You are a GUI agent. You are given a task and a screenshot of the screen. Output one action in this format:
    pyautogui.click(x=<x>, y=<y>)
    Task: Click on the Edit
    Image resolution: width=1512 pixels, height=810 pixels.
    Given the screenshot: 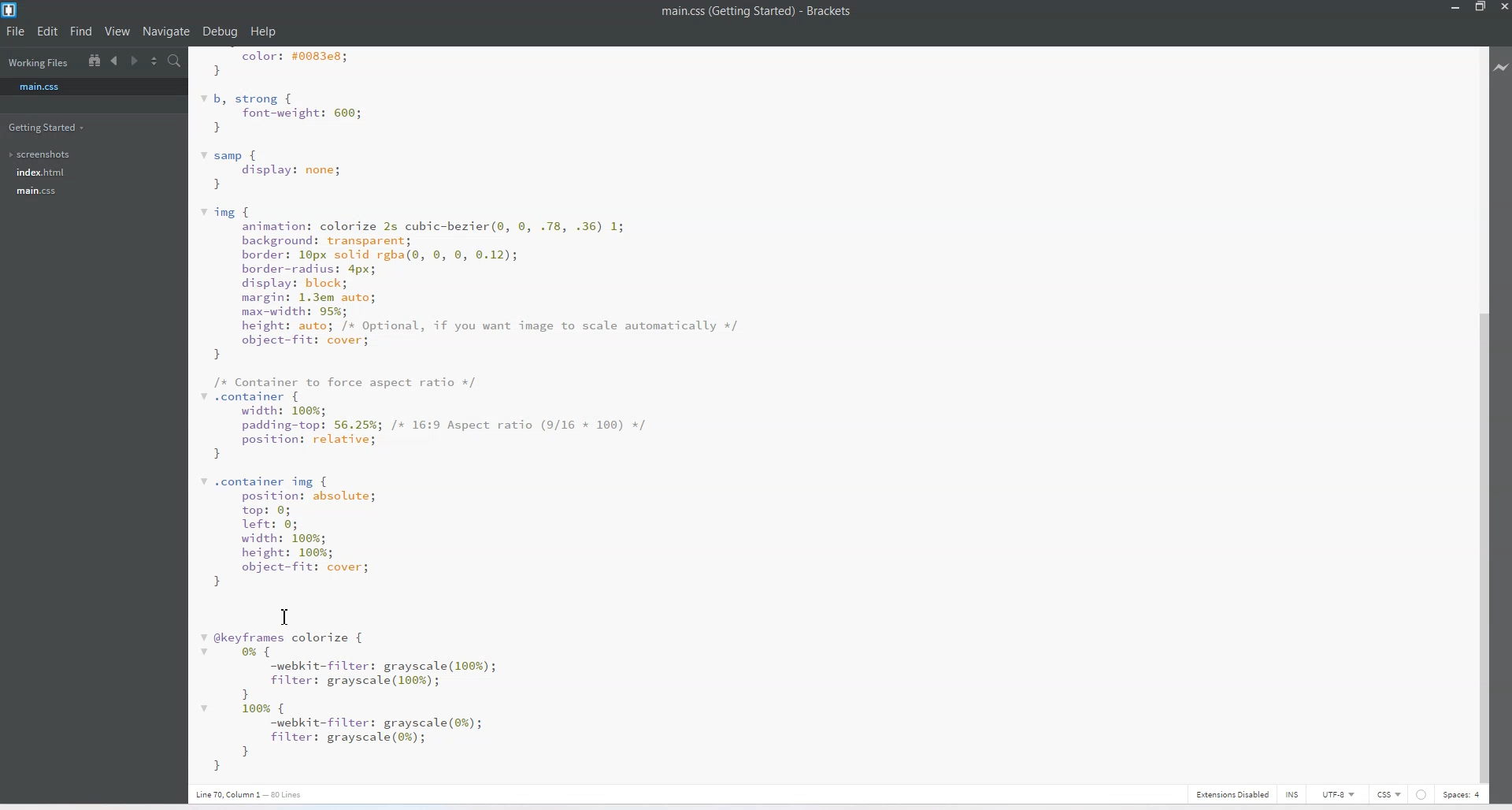 What is the action you would take?
    pyautogui.click(x=48, y=31)
    